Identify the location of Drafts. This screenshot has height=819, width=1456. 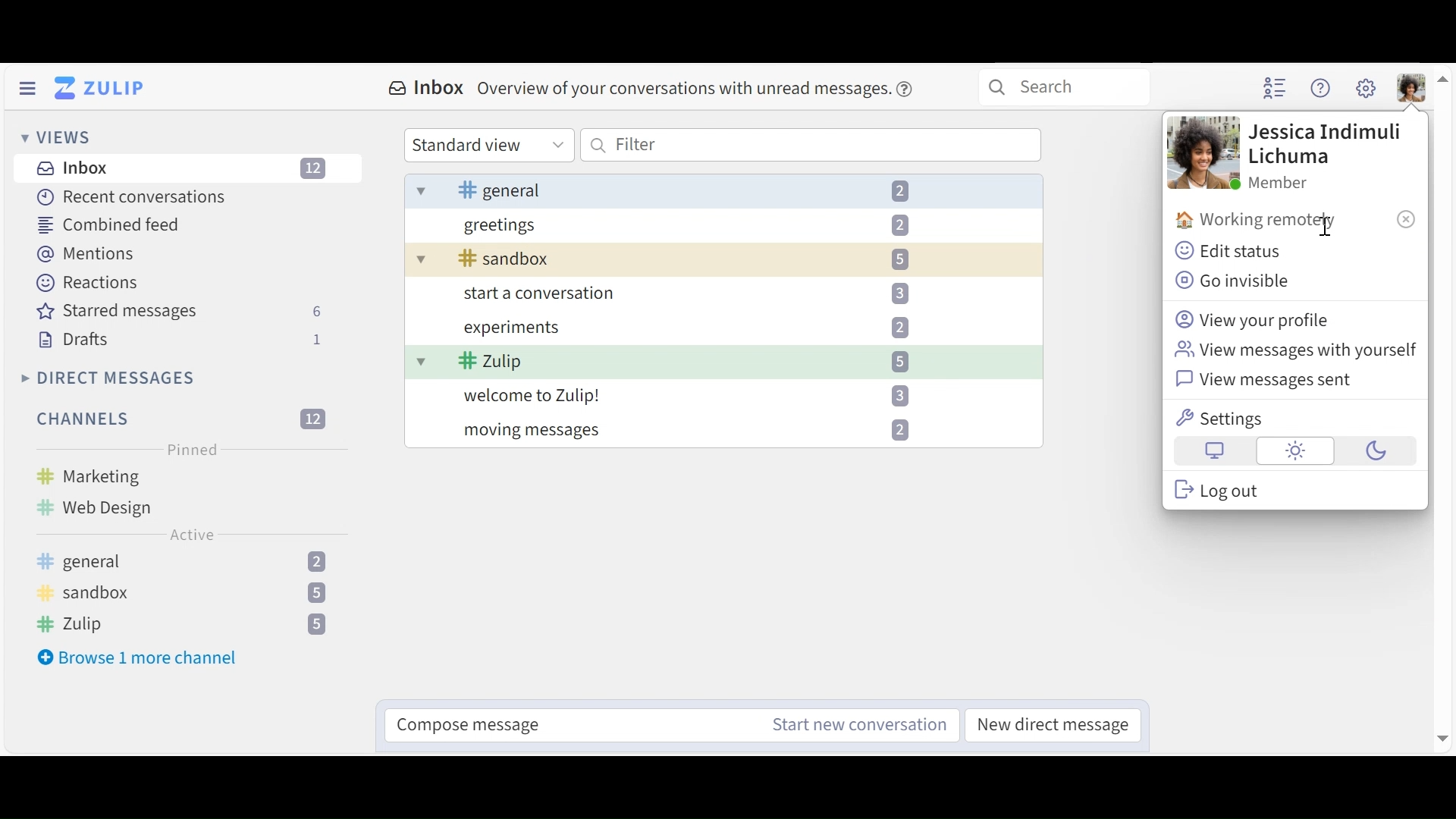
(177, 339).